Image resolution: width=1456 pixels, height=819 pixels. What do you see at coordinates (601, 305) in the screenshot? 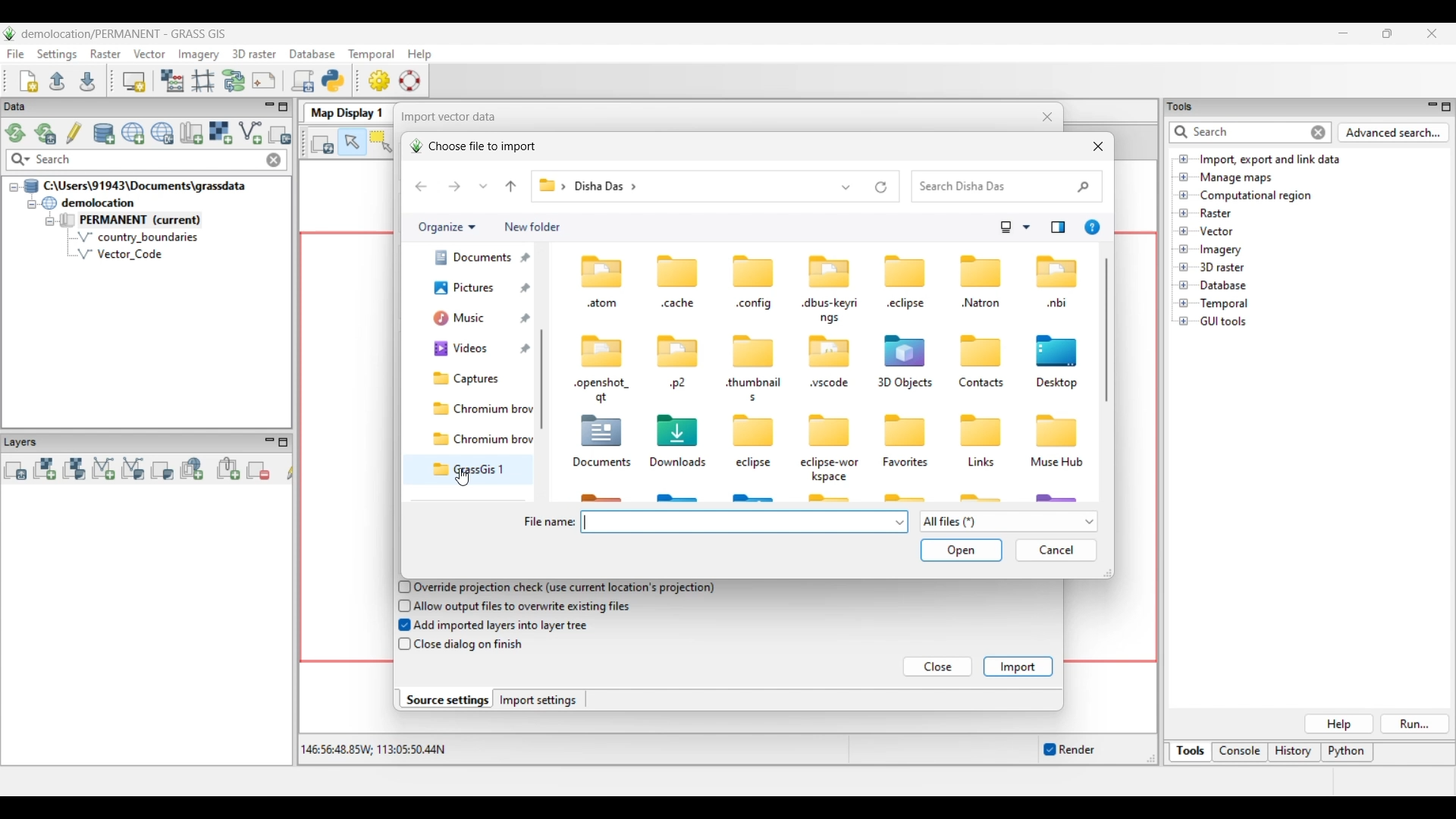
I see `atom` at bounding box center [601, 305].